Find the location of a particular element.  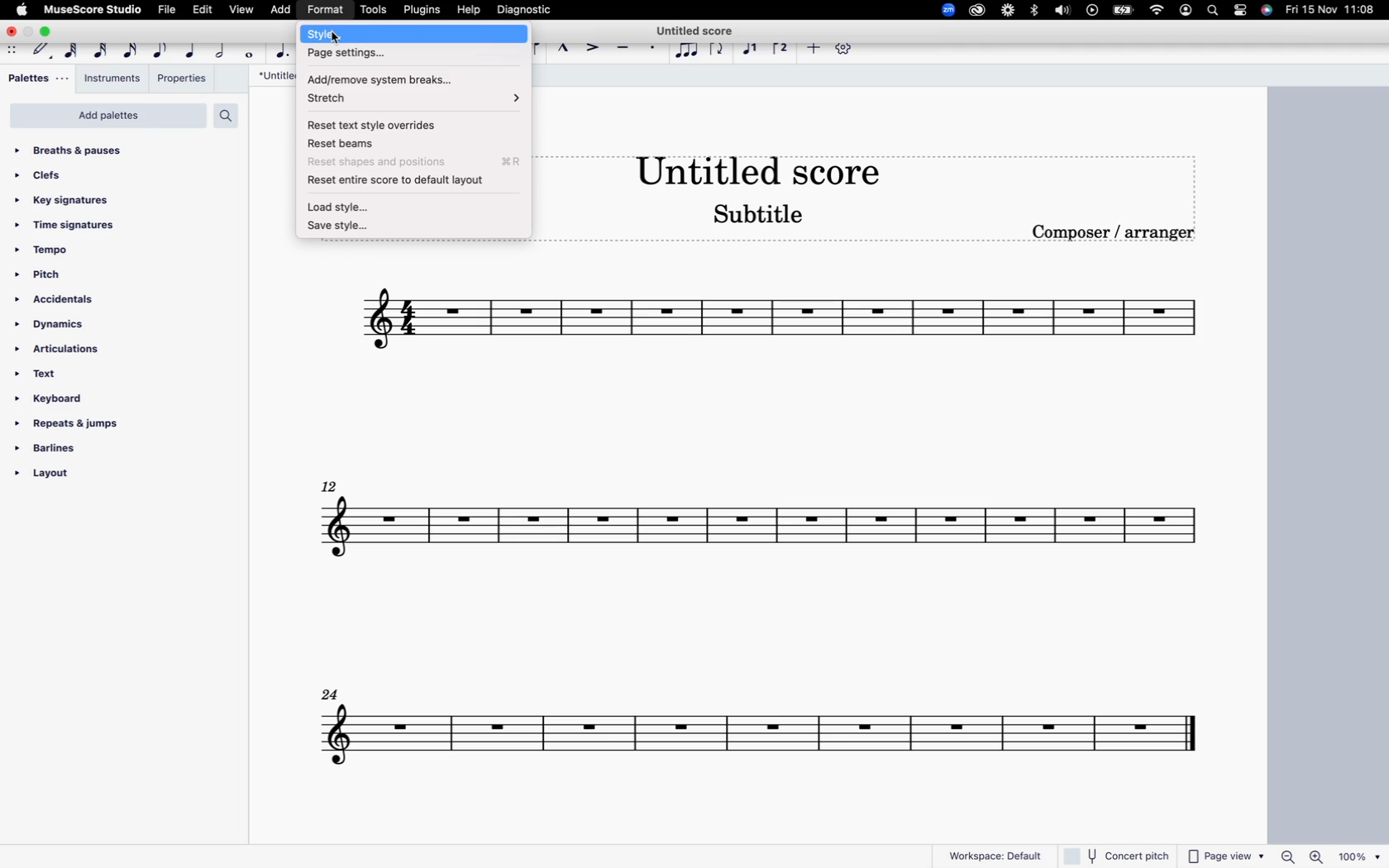

close is located at coordinates (12, 32).